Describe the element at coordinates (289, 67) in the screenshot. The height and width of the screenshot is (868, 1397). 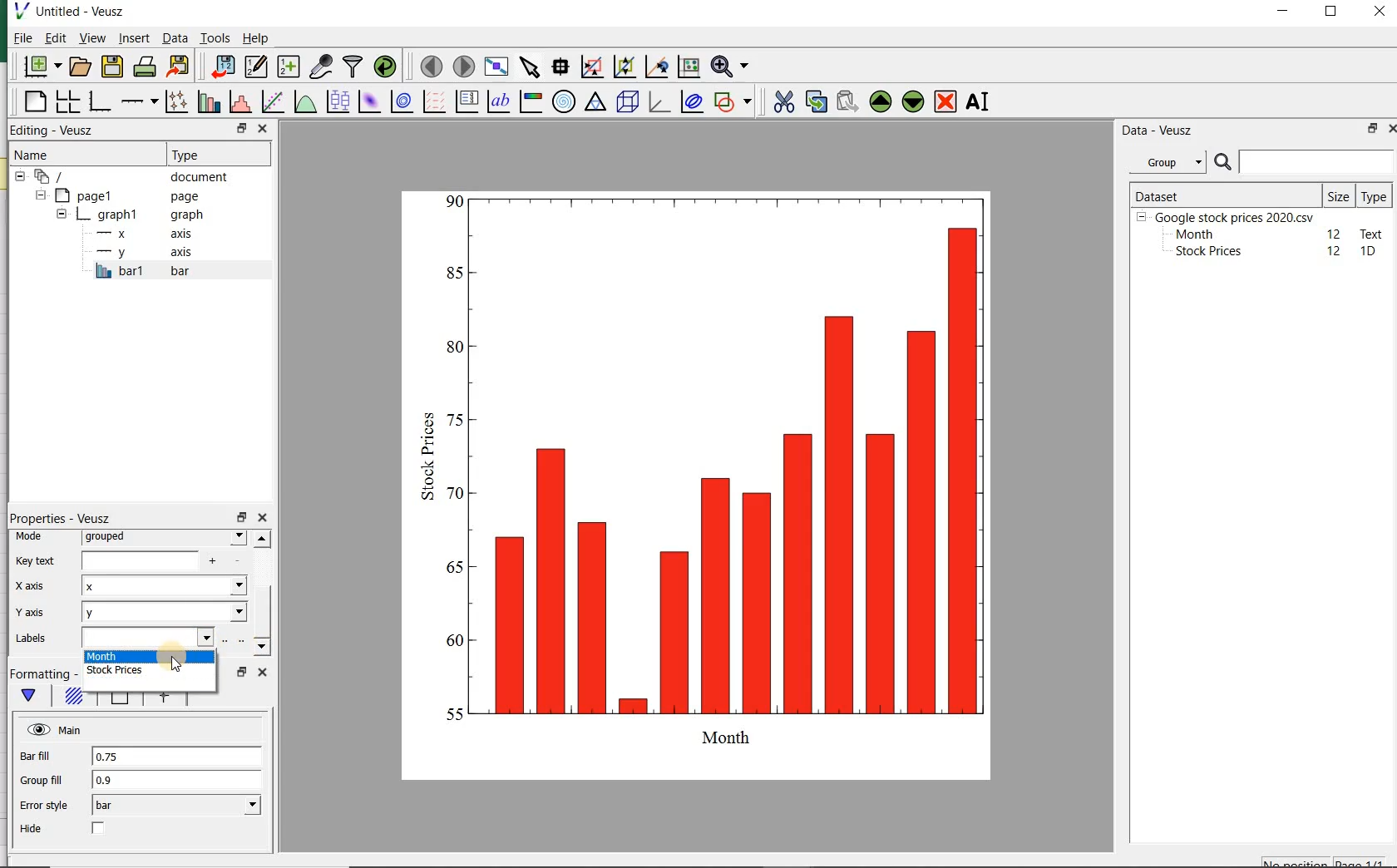
I see `create new datasets` at that location.